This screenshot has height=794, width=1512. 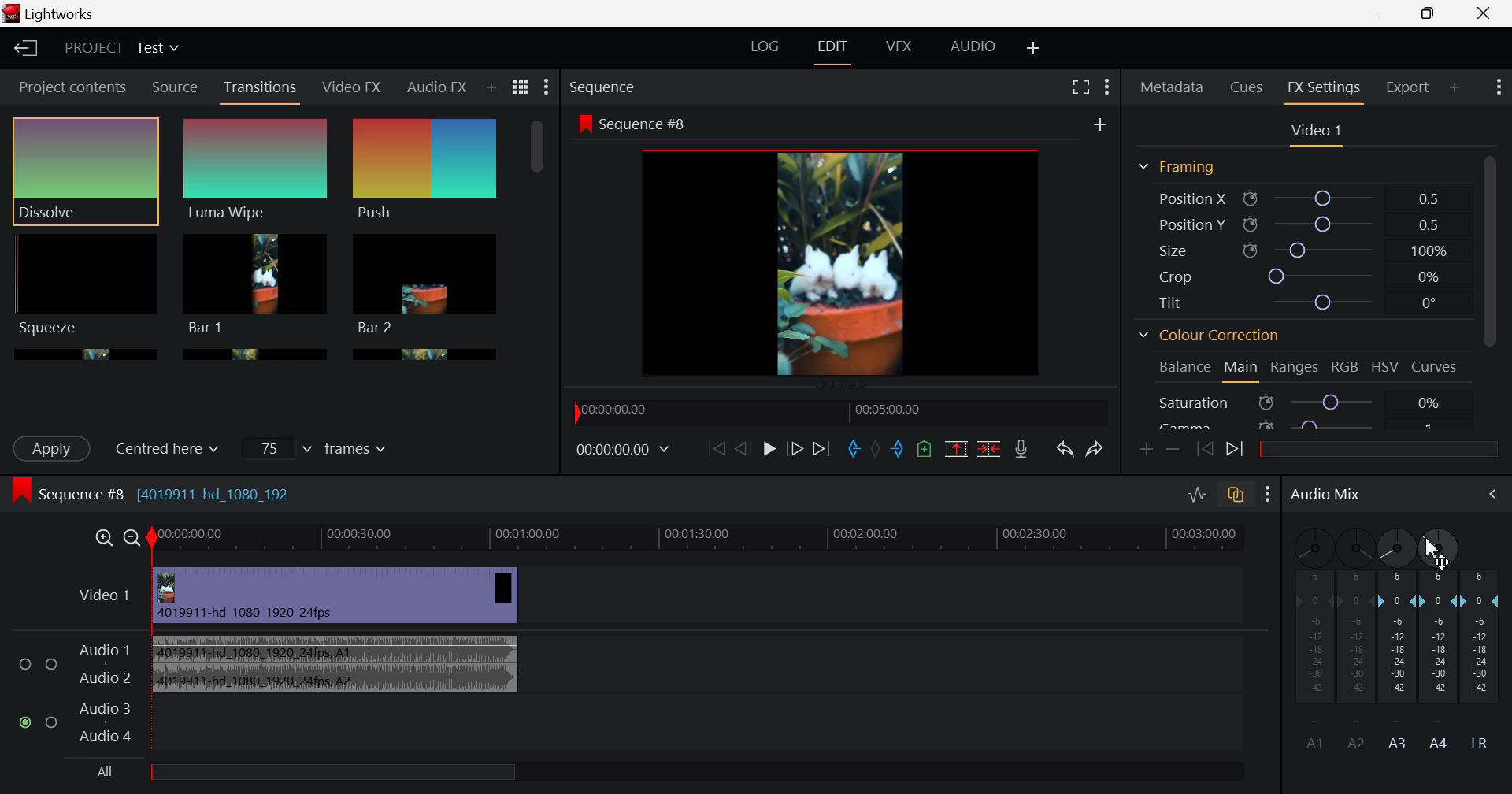 I want to click on Video Settings, so click(x=1317, y=135).